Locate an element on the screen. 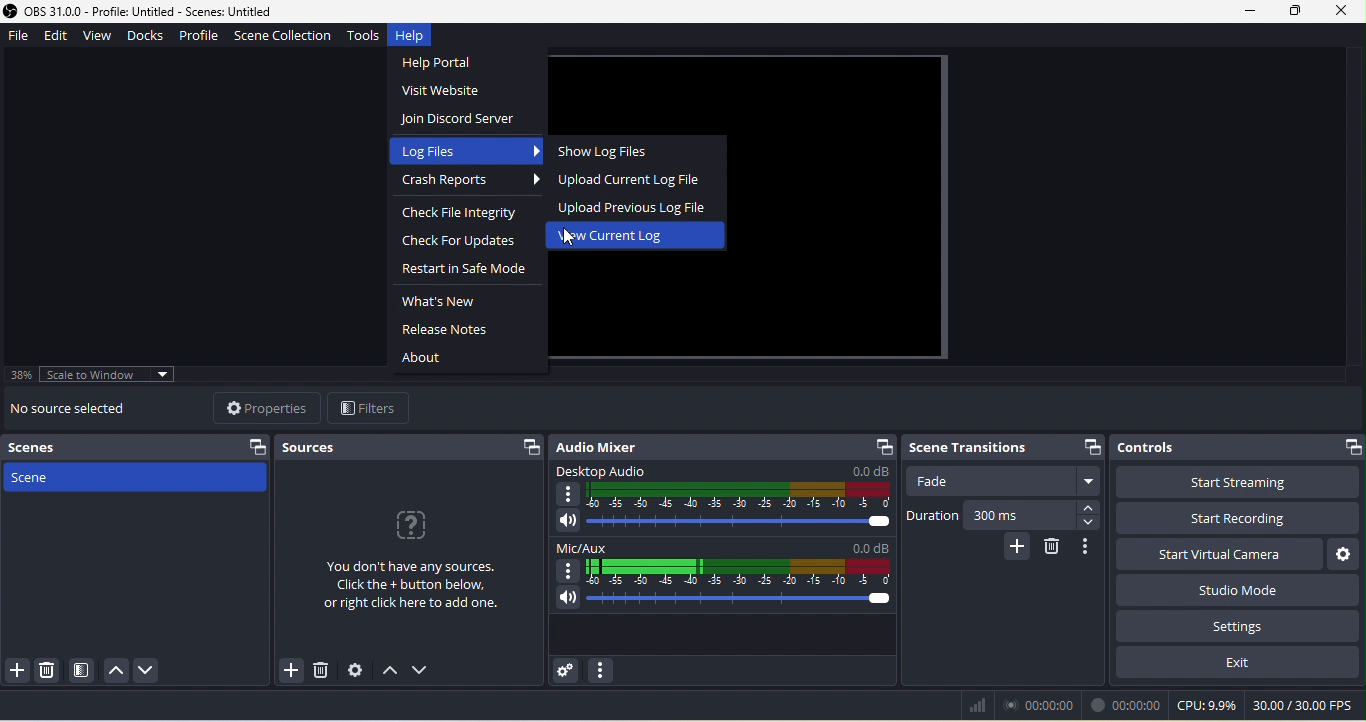 The height and width of the screenshot is (722, 1366). tools is located at coordinates (364, 38).